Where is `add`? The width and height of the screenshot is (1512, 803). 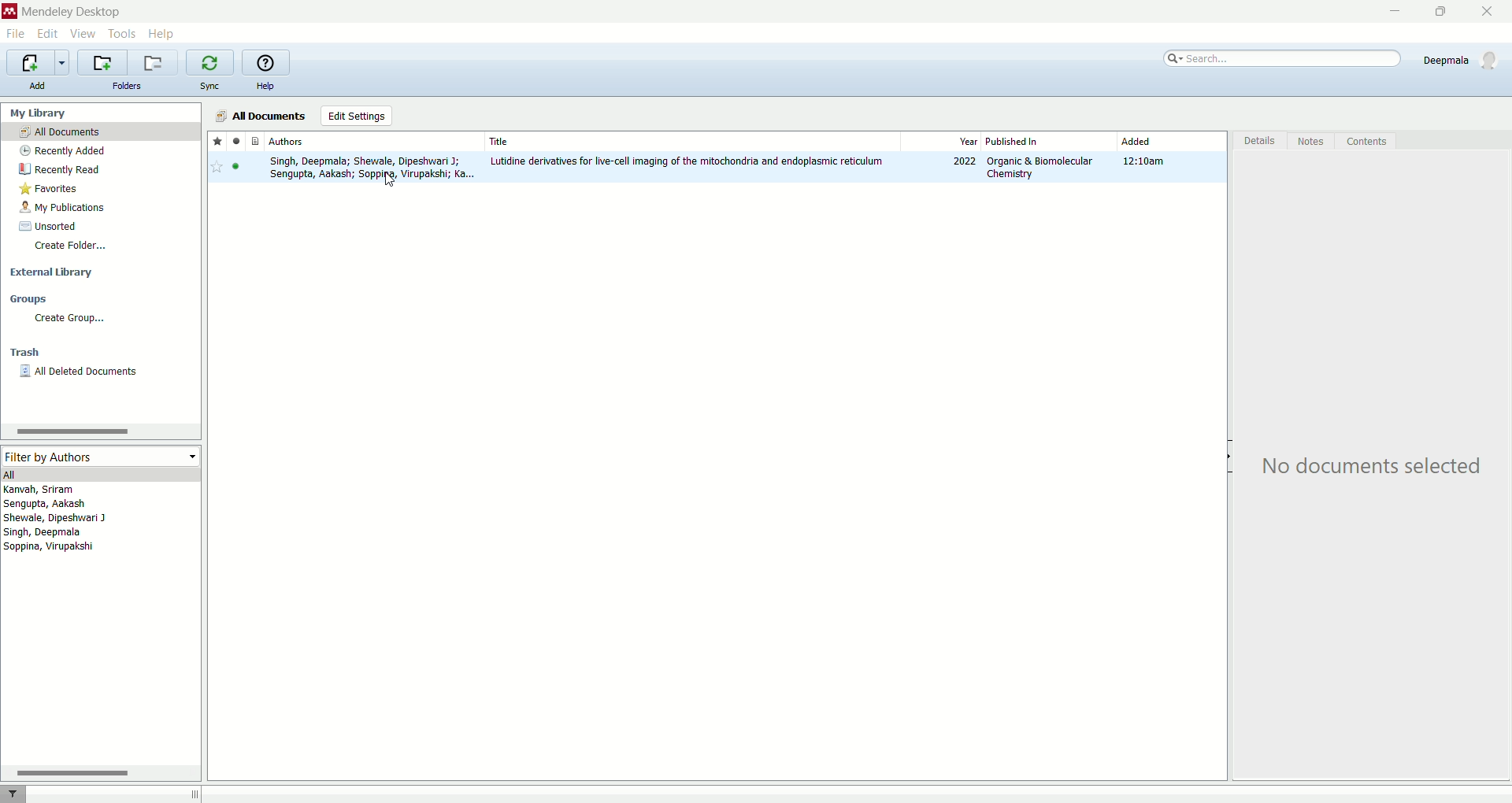
add is located at coordinates (38, 86).